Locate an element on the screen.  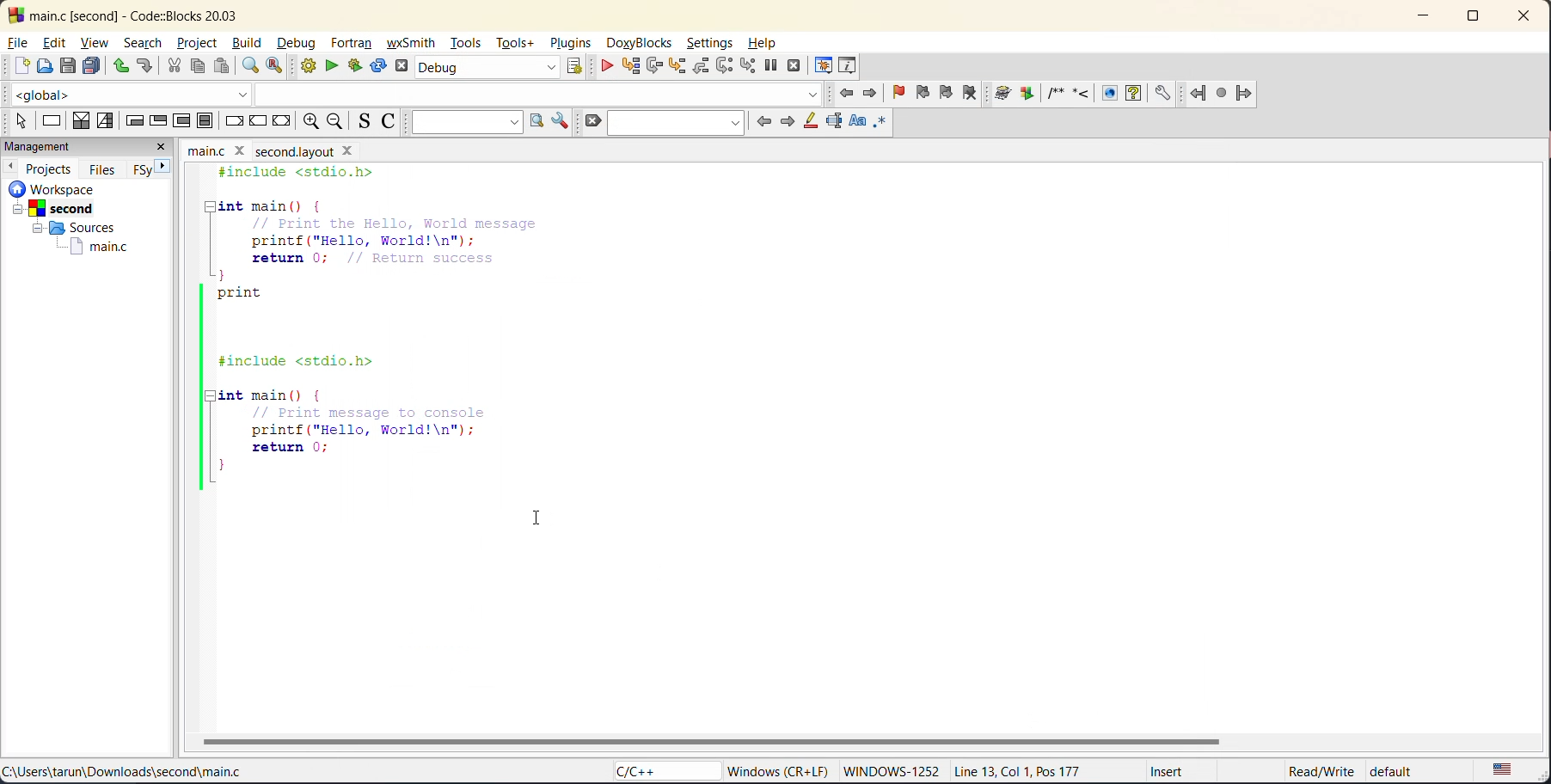
previous bookmark is located at coordinates (925, 93).